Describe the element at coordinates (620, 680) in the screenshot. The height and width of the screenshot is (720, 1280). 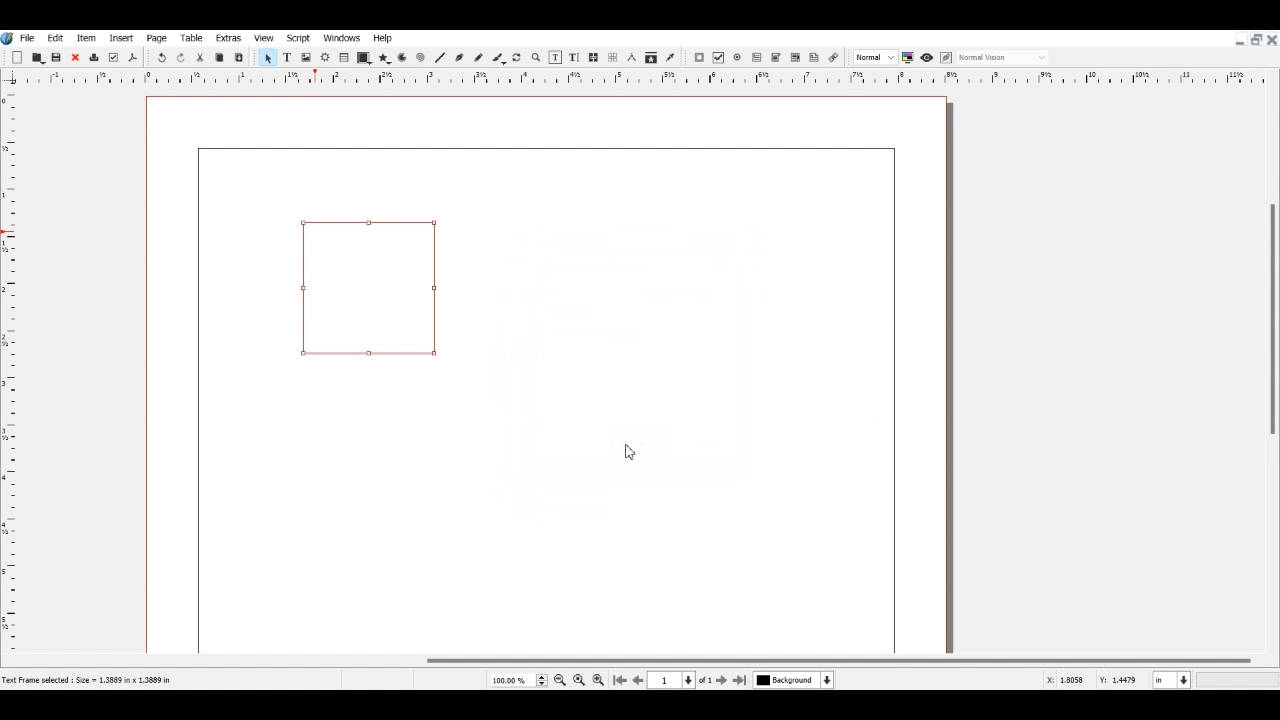
I see `Go to First Page` at that location.